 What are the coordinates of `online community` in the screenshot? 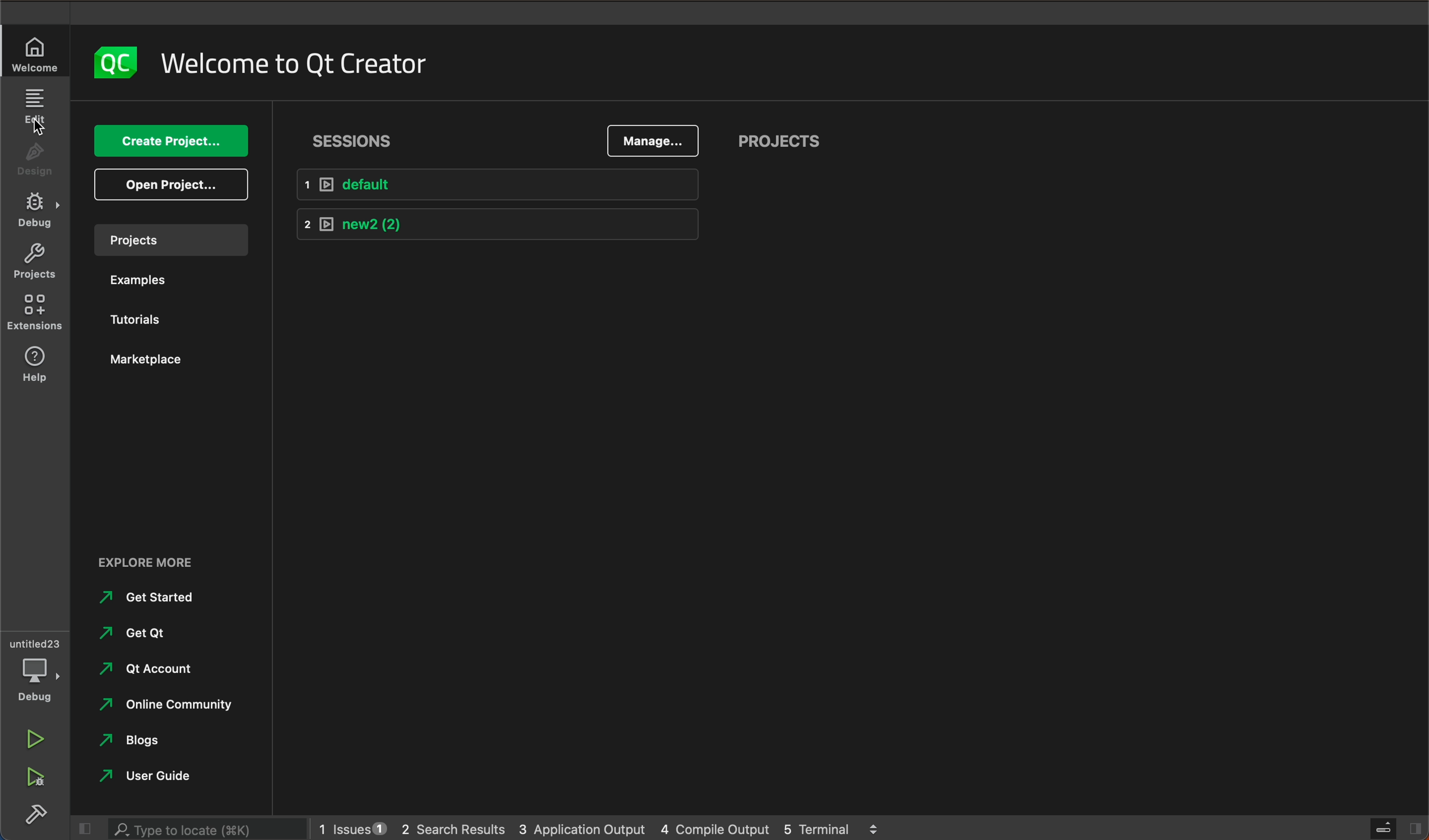 It's located at (163, 706).